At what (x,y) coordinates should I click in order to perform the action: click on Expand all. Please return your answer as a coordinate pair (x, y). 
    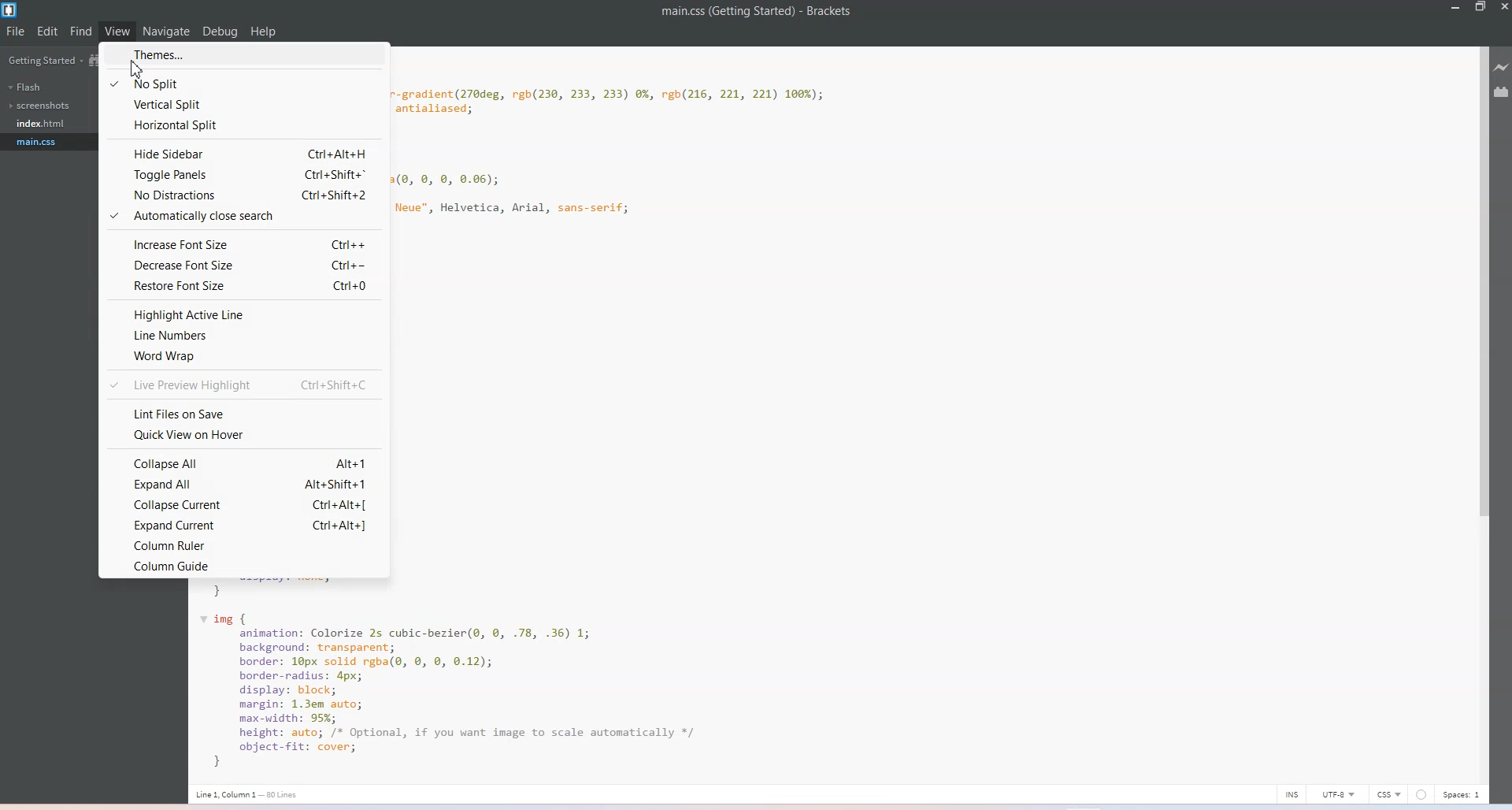
    Looking at the image, I should click on (244, 485).